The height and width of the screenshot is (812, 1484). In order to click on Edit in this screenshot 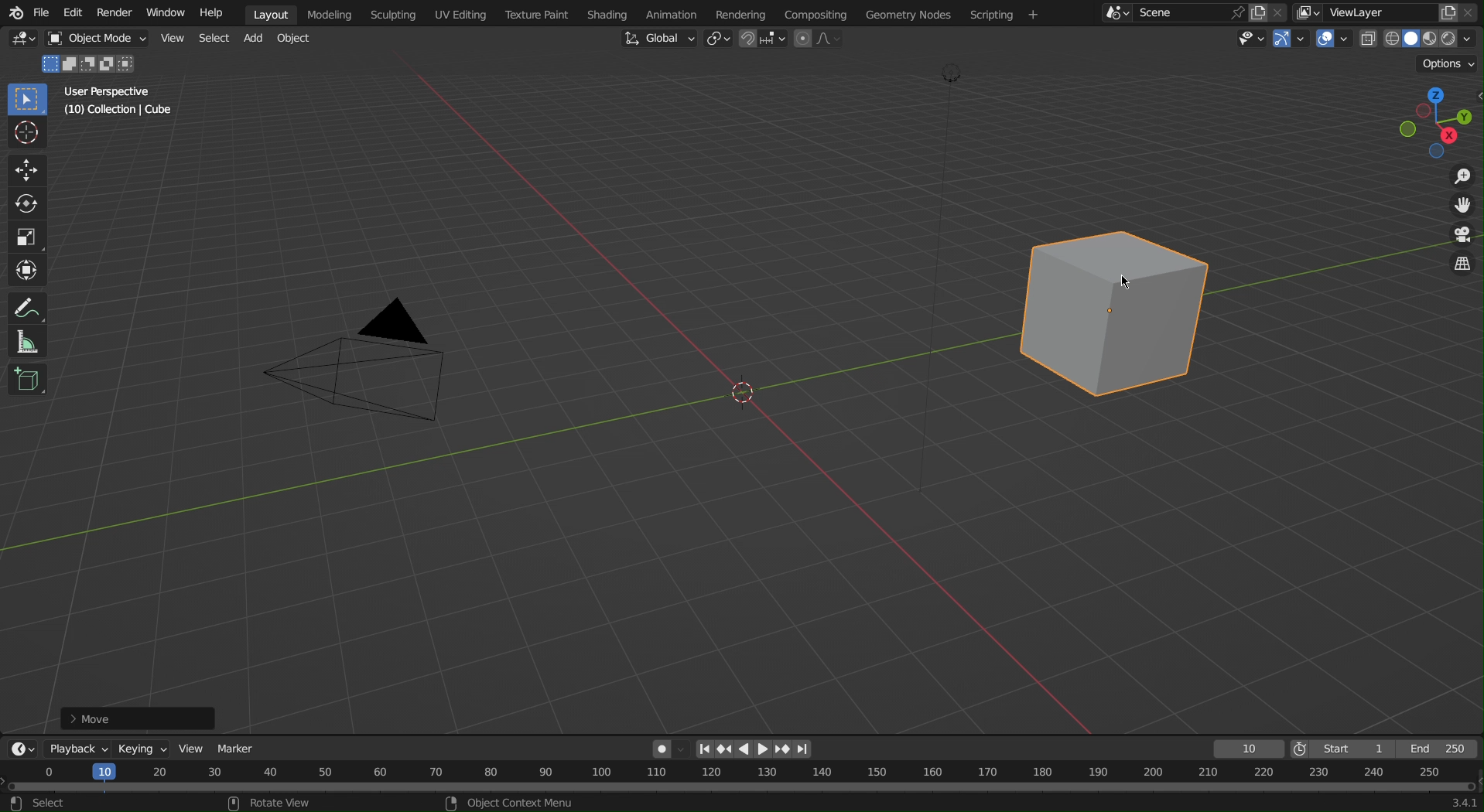, I will do `click(70, 12)`.